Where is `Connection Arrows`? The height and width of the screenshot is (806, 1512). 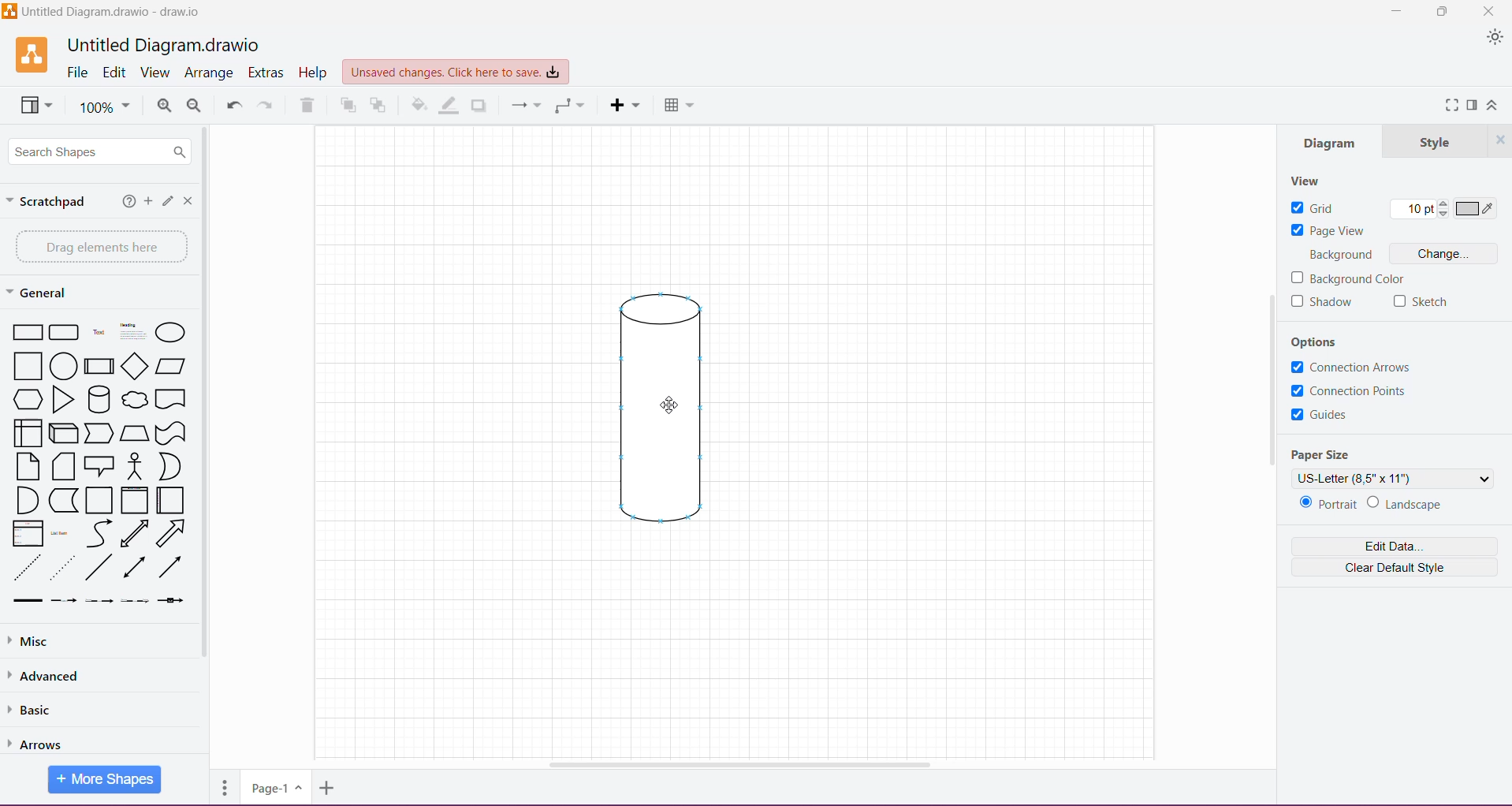
Connection Arrows is located at coordinates (1350, 367).